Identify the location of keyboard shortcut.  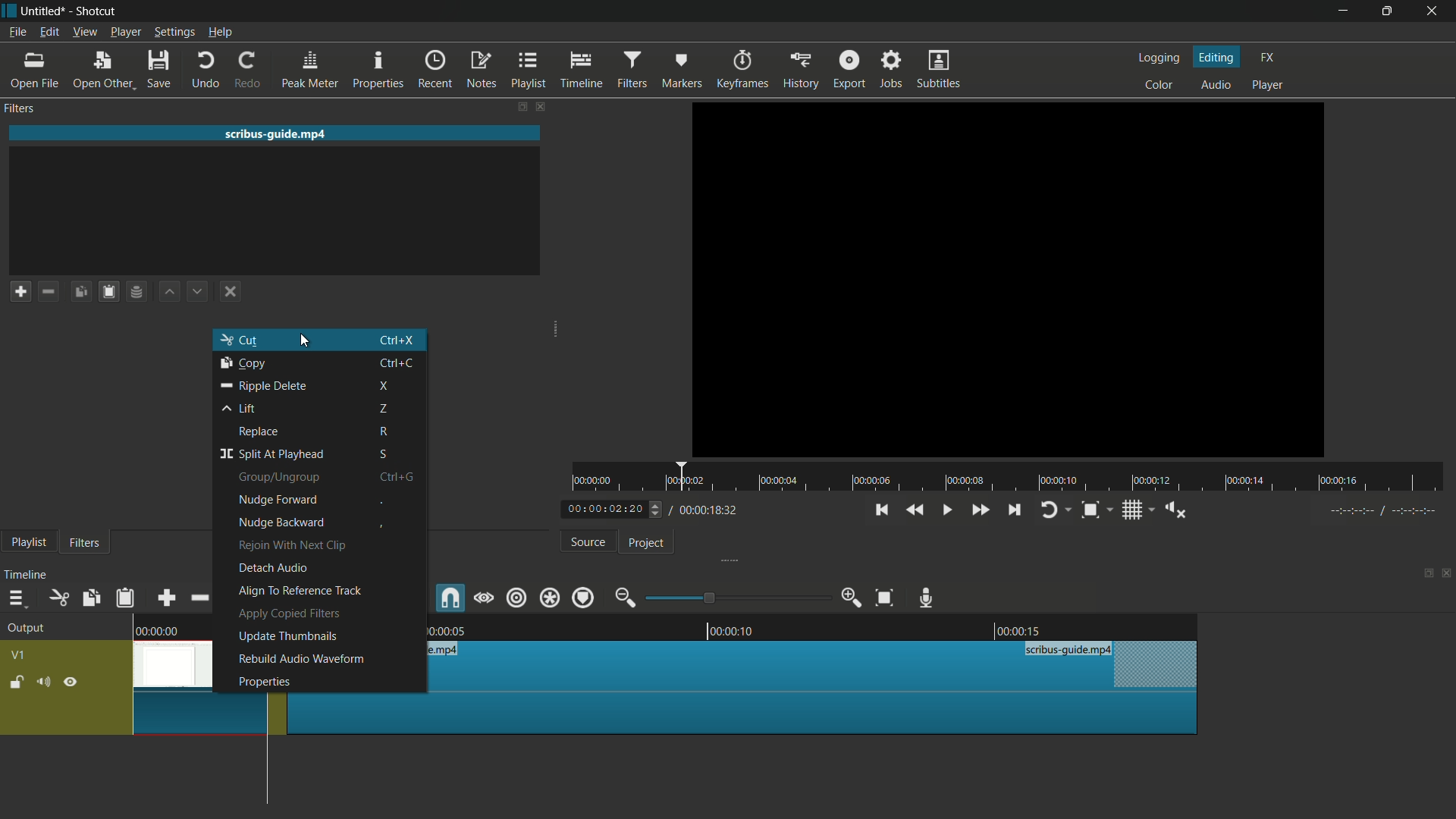
(381, 502).